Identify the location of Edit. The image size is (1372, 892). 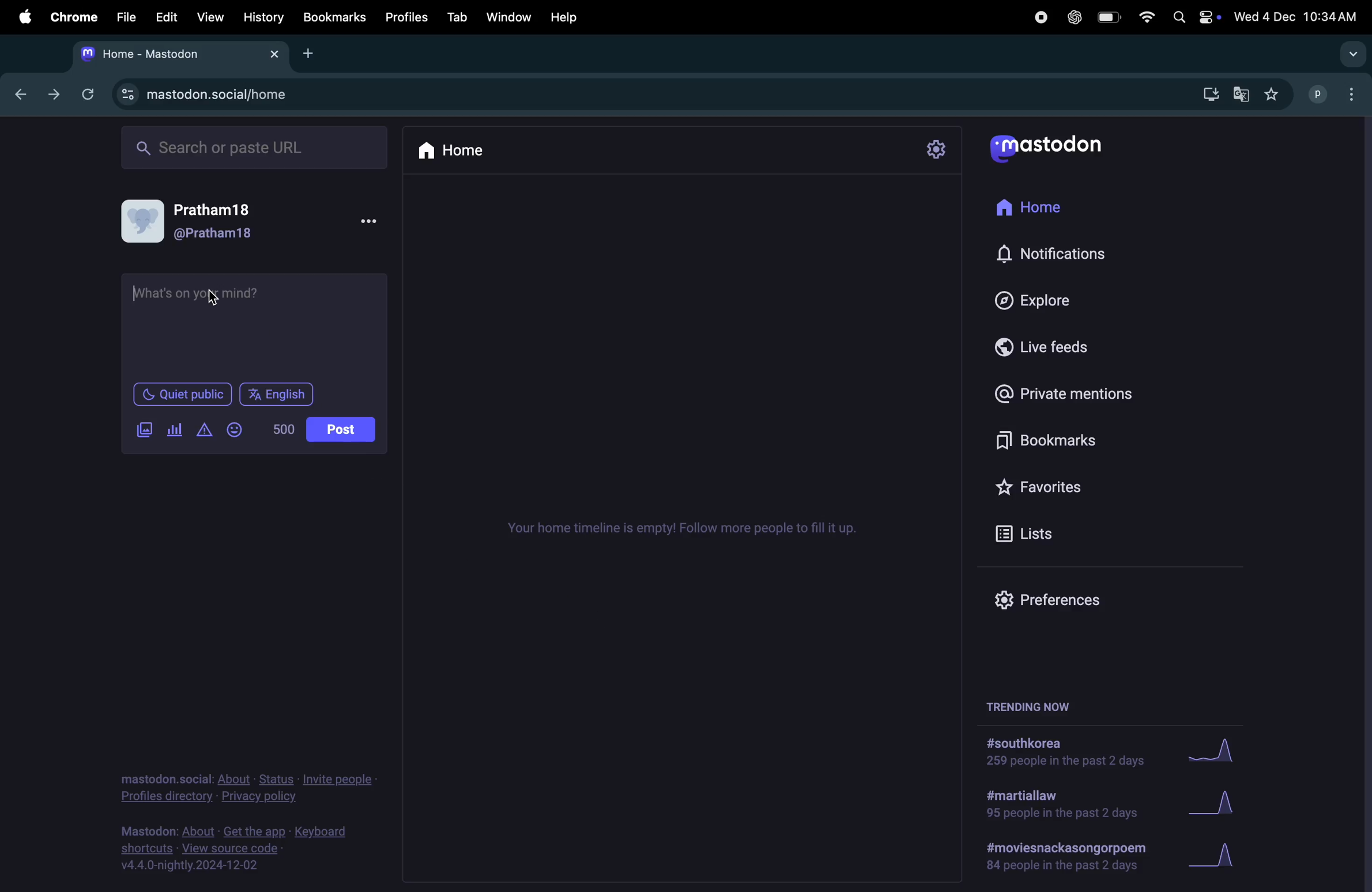
(168, 17).